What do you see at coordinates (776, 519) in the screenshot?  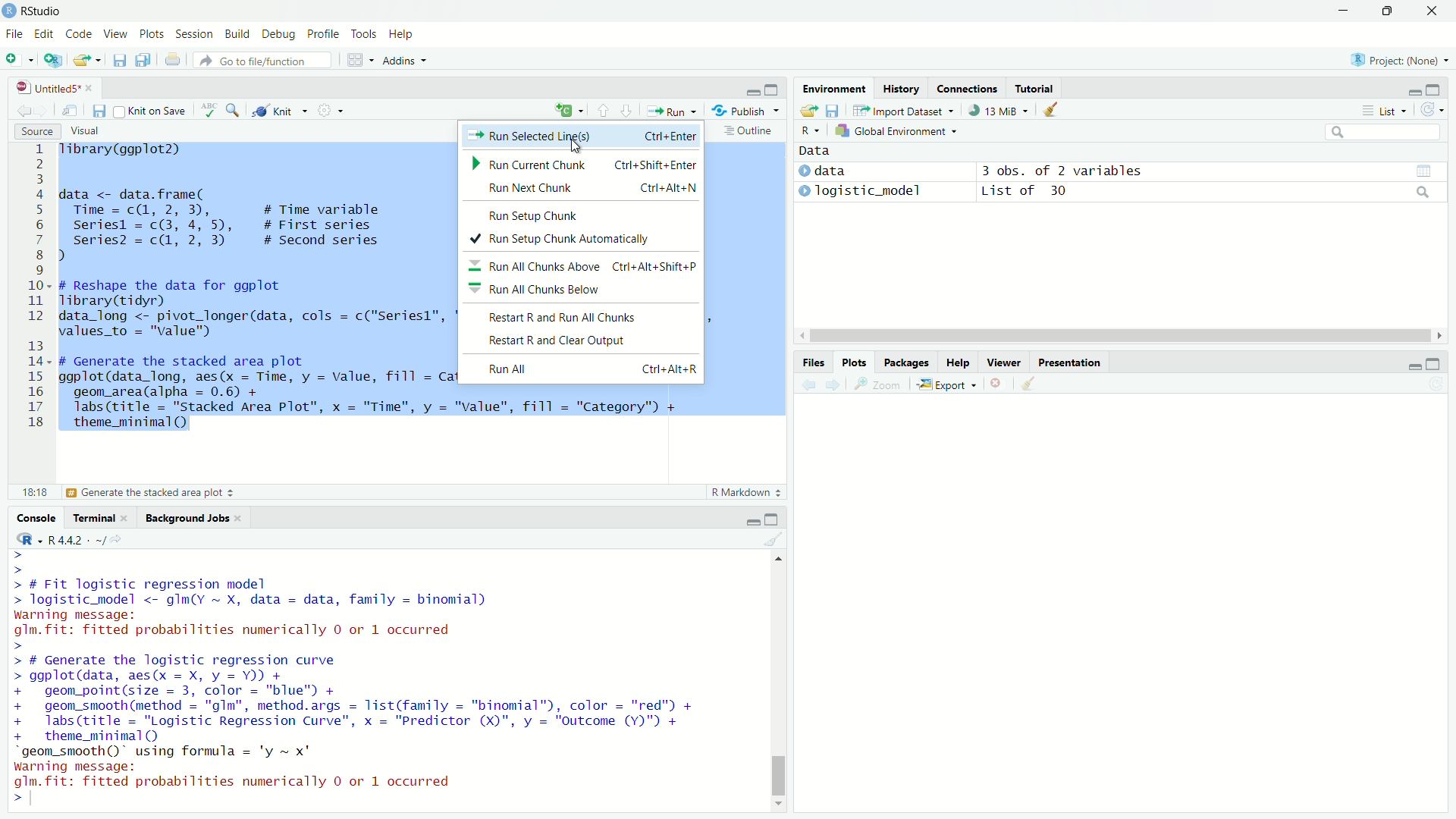 I see `maximise` at bounding box center [776, 519].